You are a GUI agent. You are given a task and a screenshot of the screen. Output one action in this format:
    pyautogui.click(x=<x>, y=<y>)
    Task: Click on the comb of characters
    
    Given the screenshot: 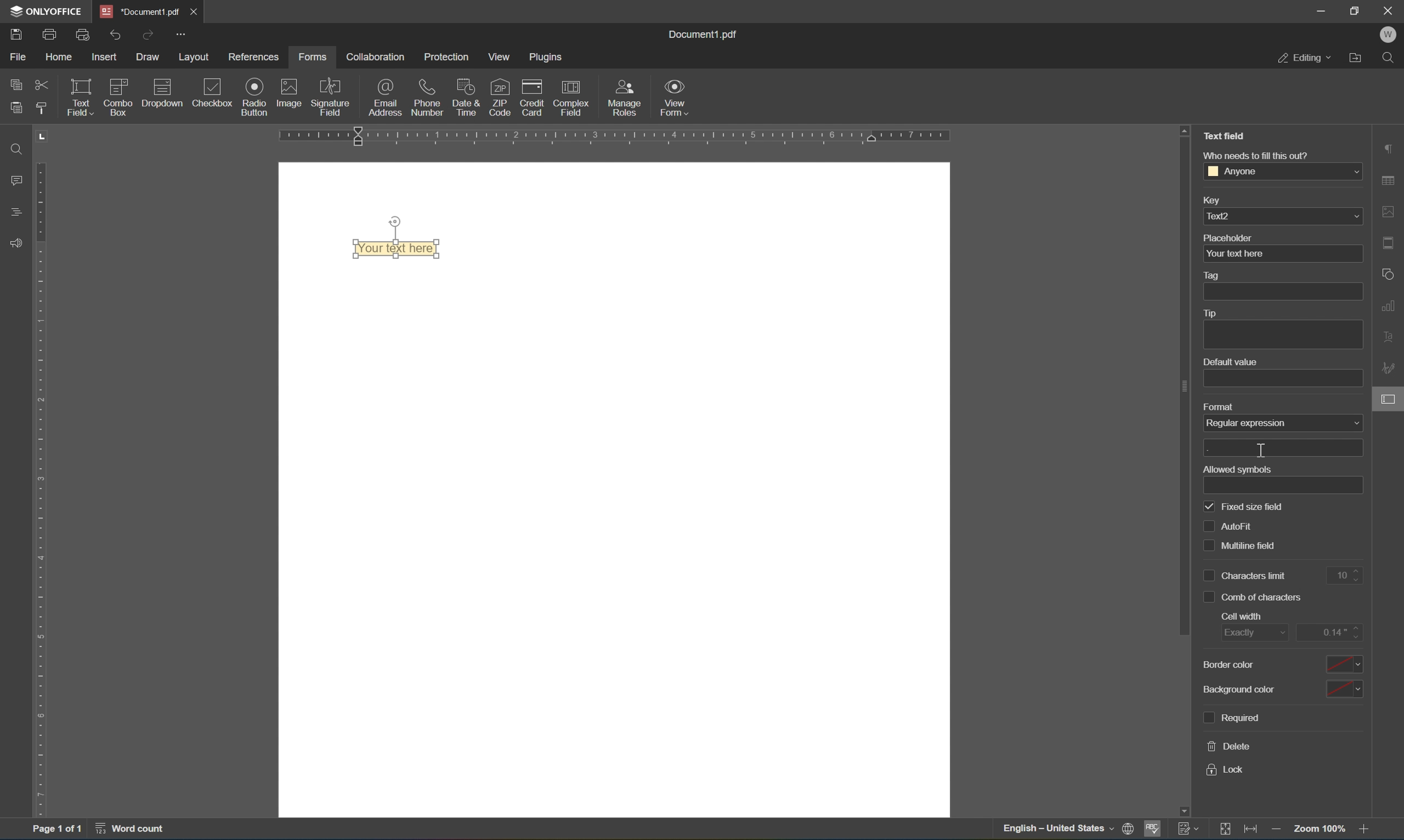 What is the action you would take?
    pyautogui.click(x=1252, y=596)
    